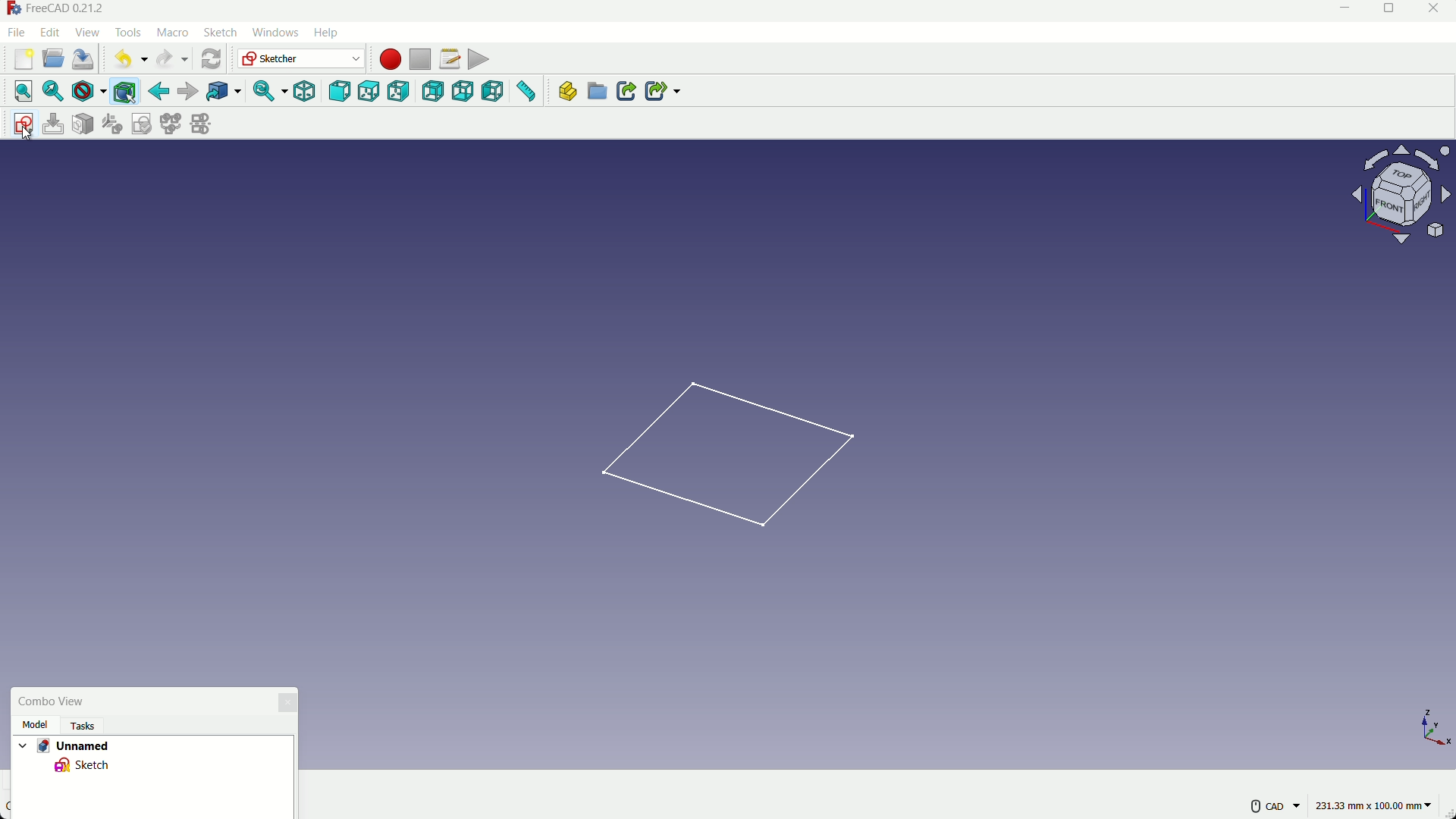  I want to click on stop macros, so click(419, 60).